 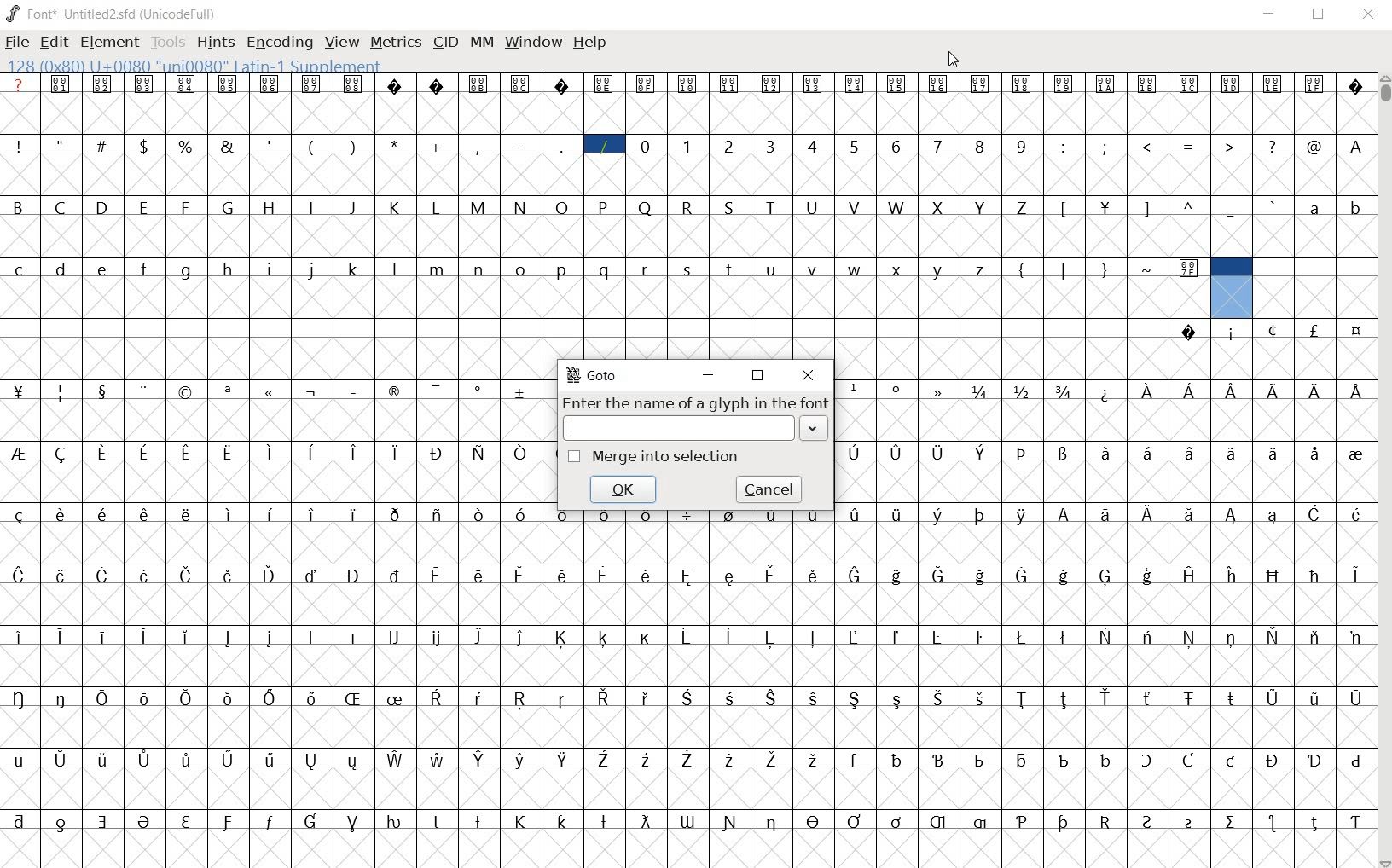 What do you see at coordinates (274, 697) in the screenshot?
I see `Symbol` at bounding box center [274, 697].